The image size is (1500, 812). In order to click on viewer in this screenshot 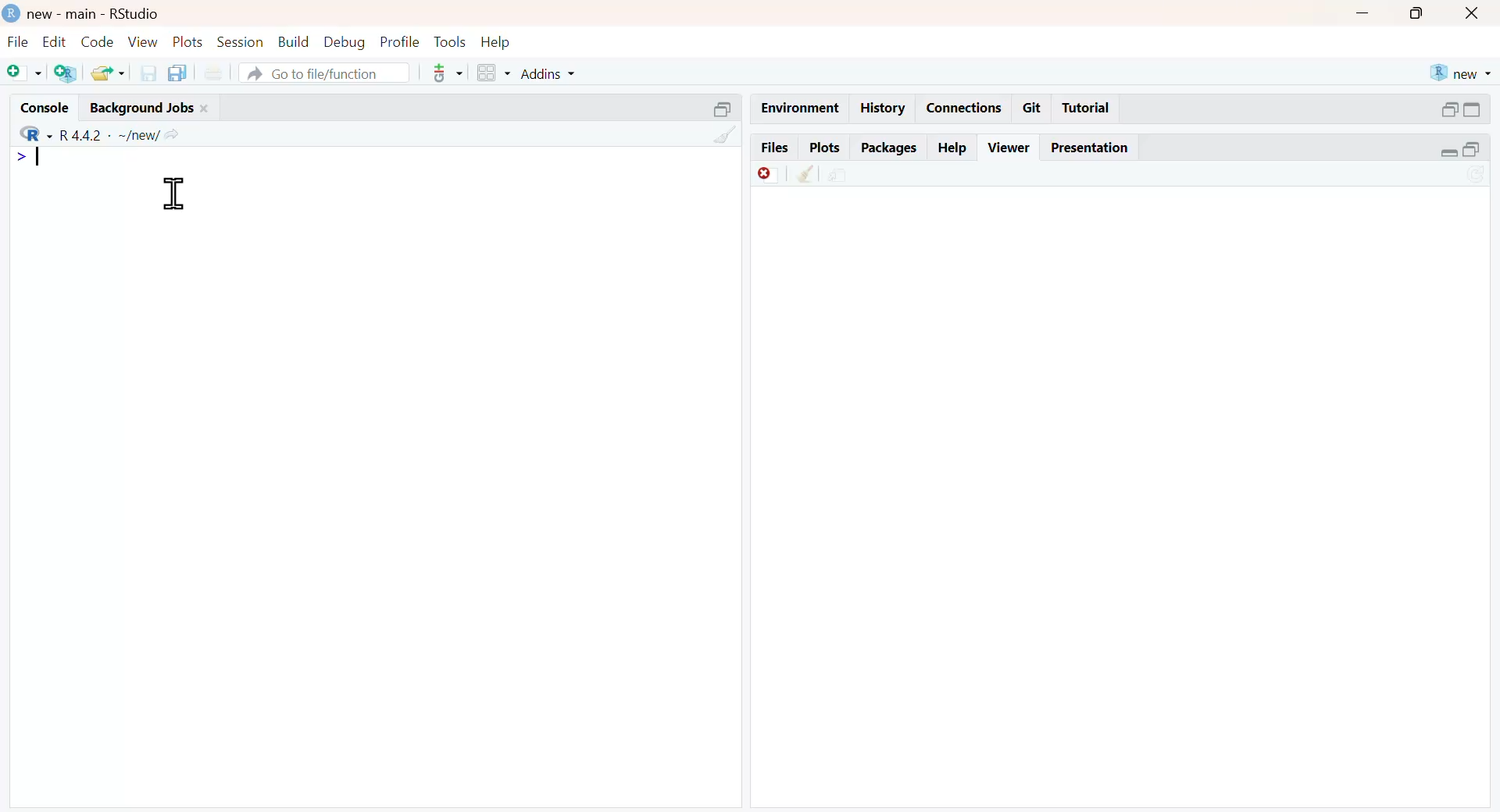, I will do `click(1009, 148)`.